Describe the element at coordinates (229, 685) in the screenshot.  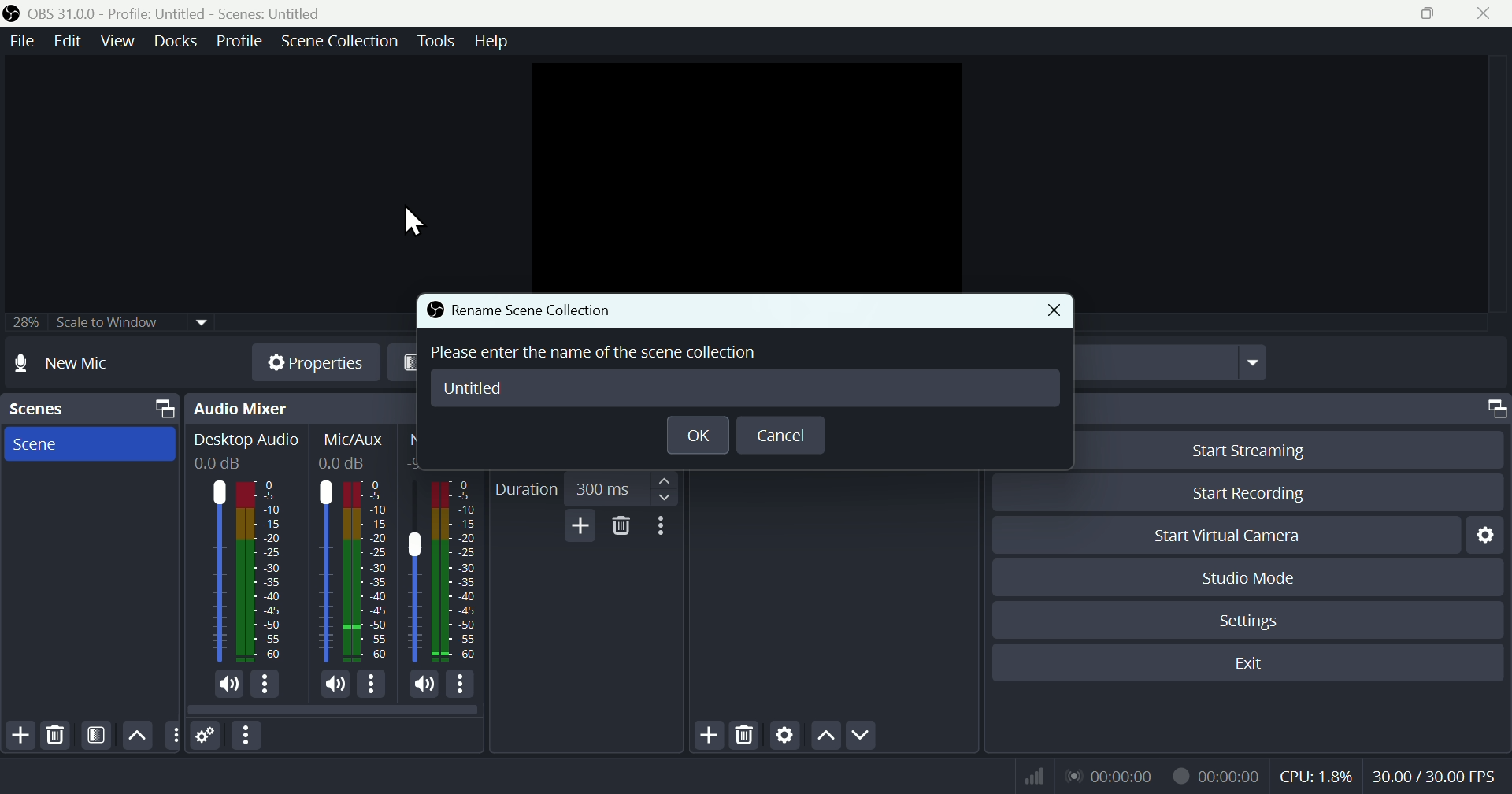
I see `(un)mute` at that location.